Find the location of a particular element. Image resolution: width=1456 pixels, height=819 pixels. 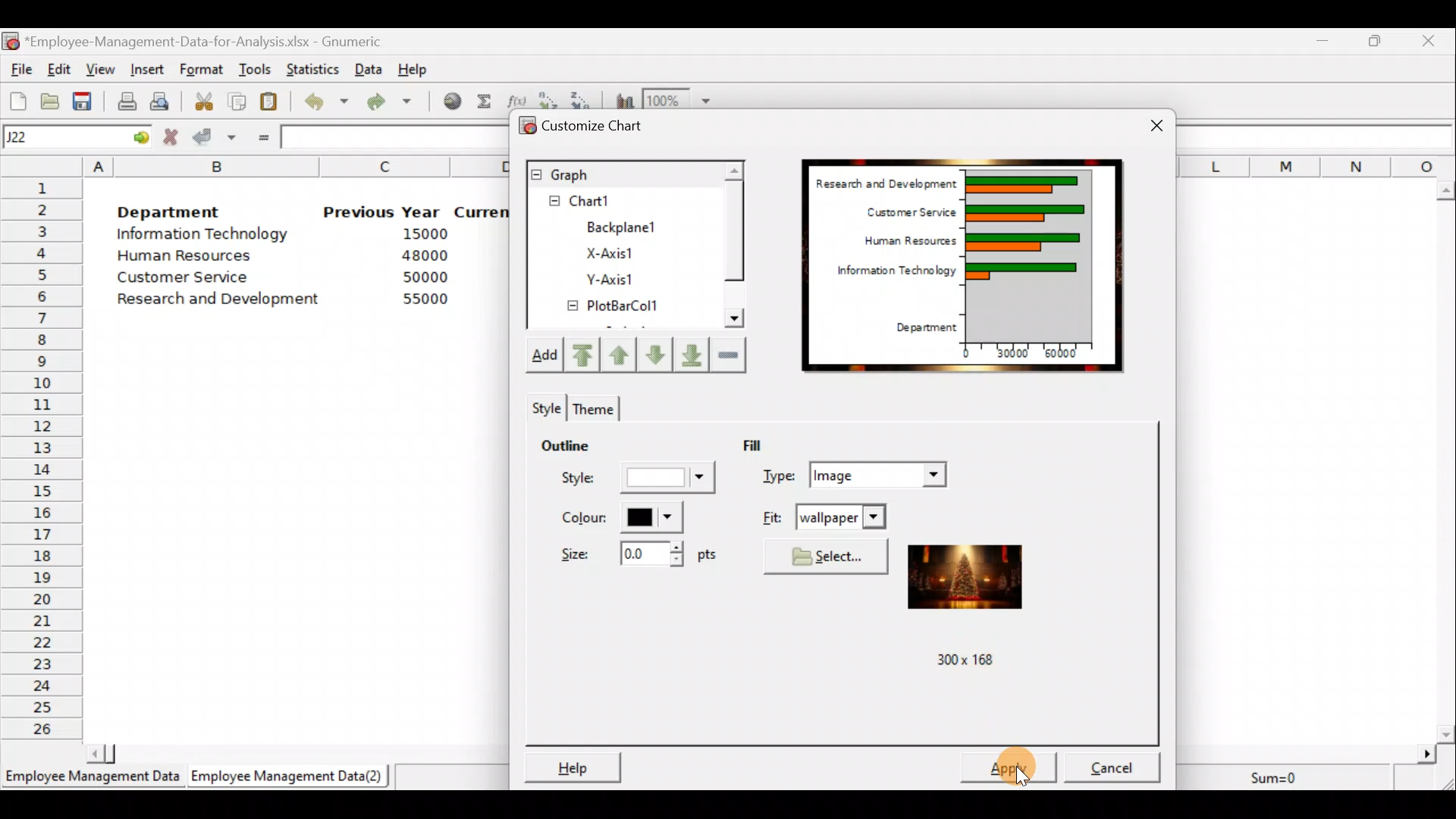

Tools is located at coordinates (255, 67).